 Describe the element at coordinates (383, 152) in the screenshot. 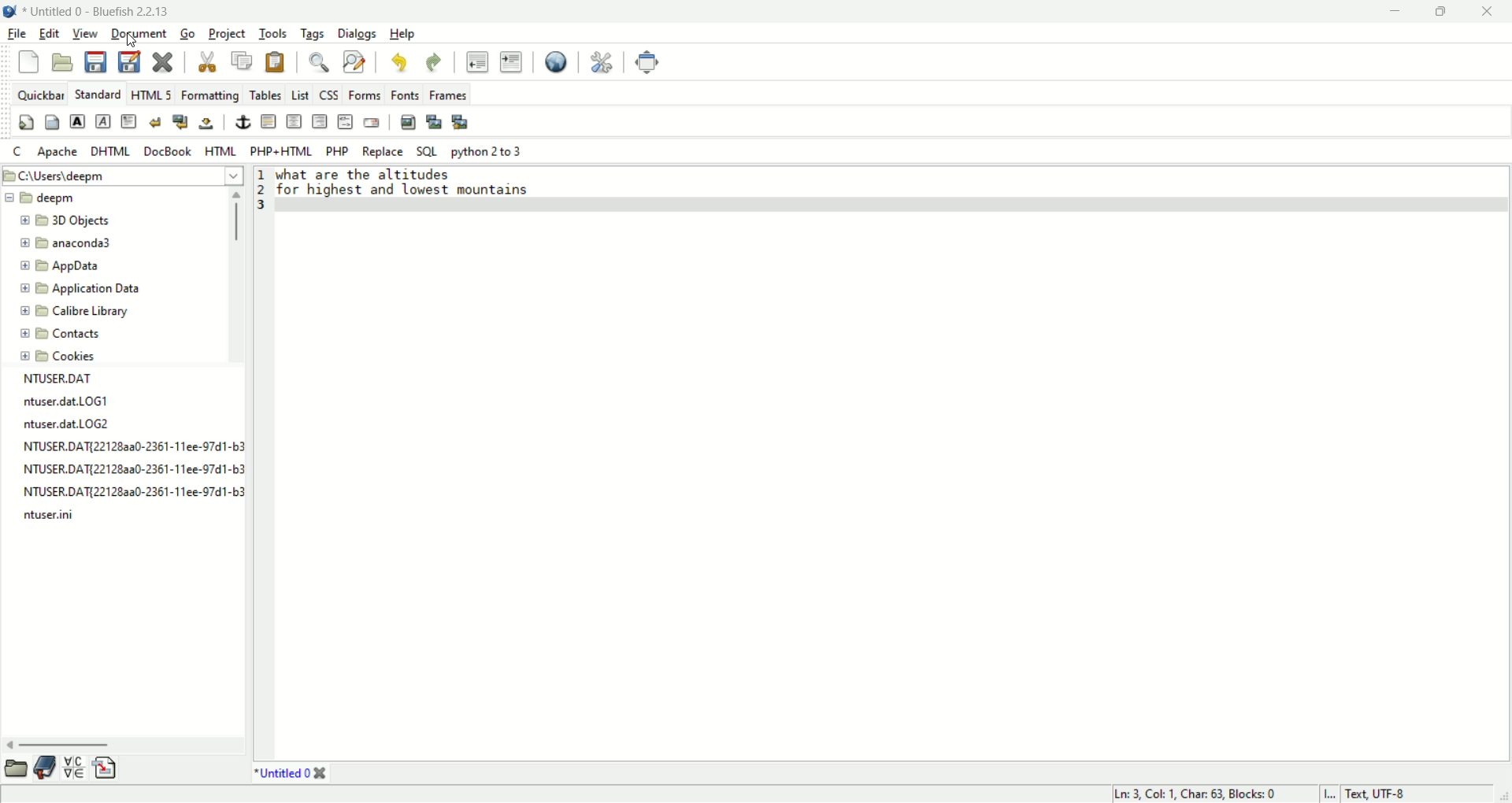

I see `REPLACE` at that location.